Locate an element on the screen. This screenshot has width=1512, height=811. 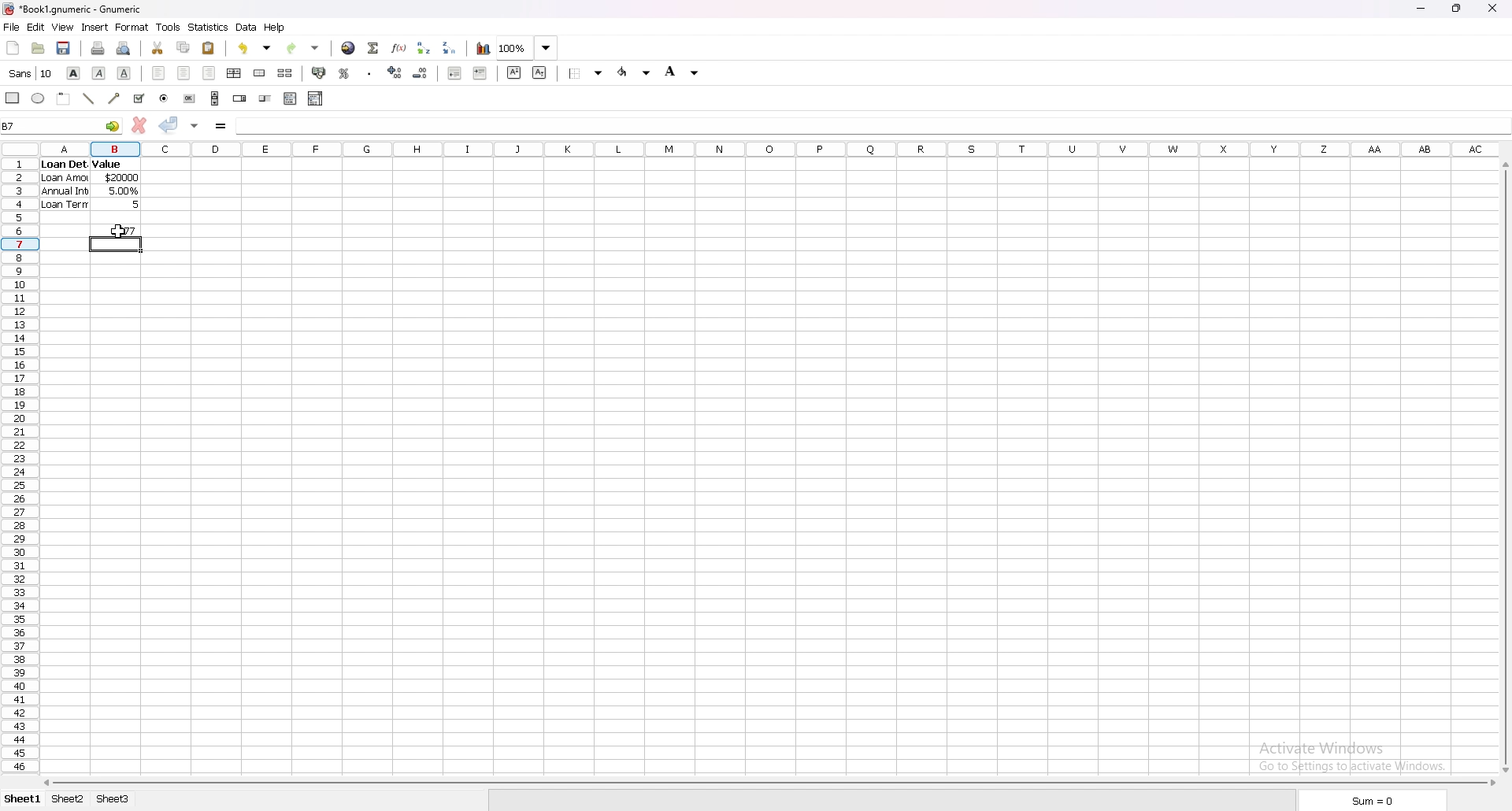
print preview is located at coordinates (124, 47).